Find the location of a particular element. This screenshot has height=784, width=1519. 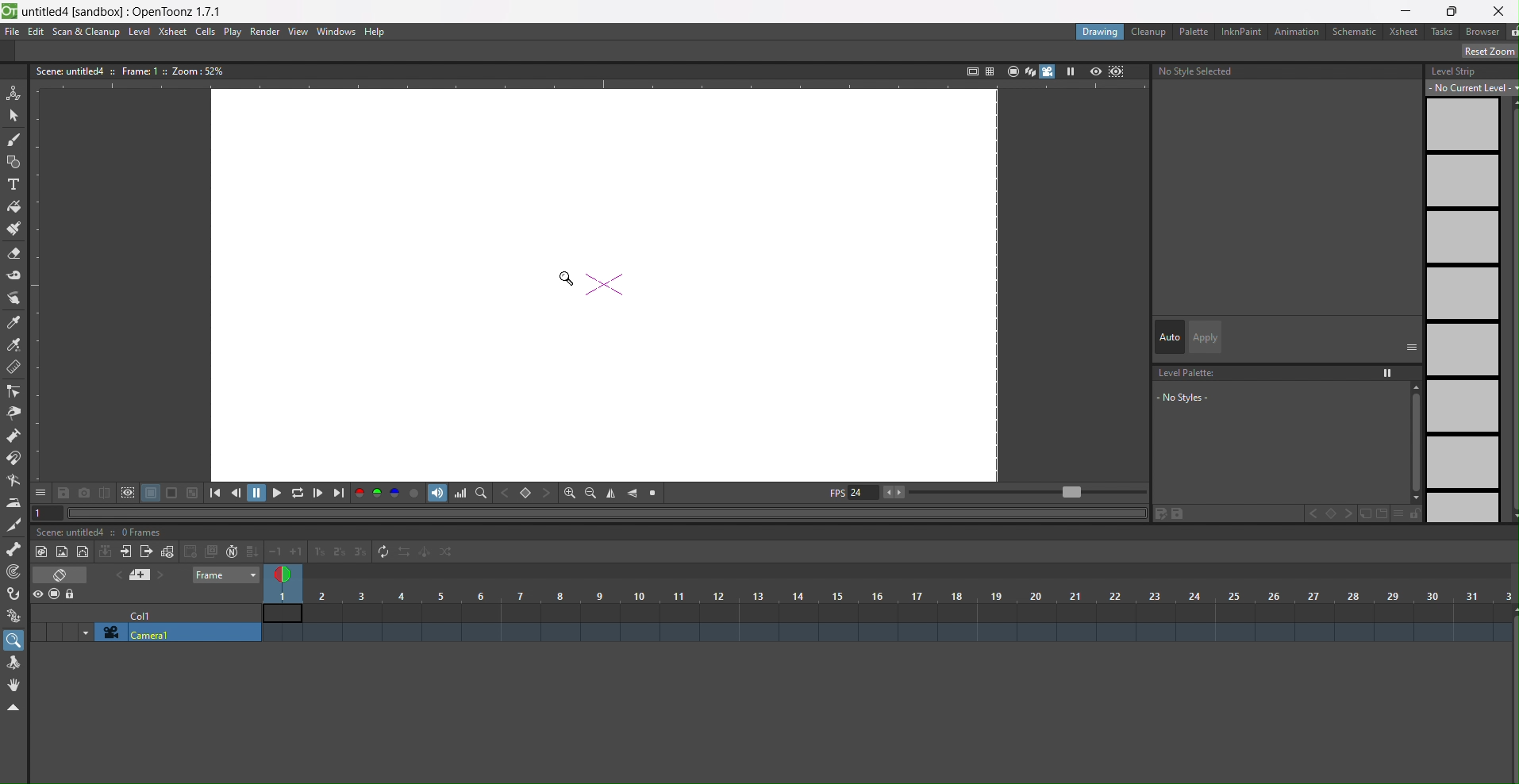

camera toggle view is located at coordinates (1050, 73).